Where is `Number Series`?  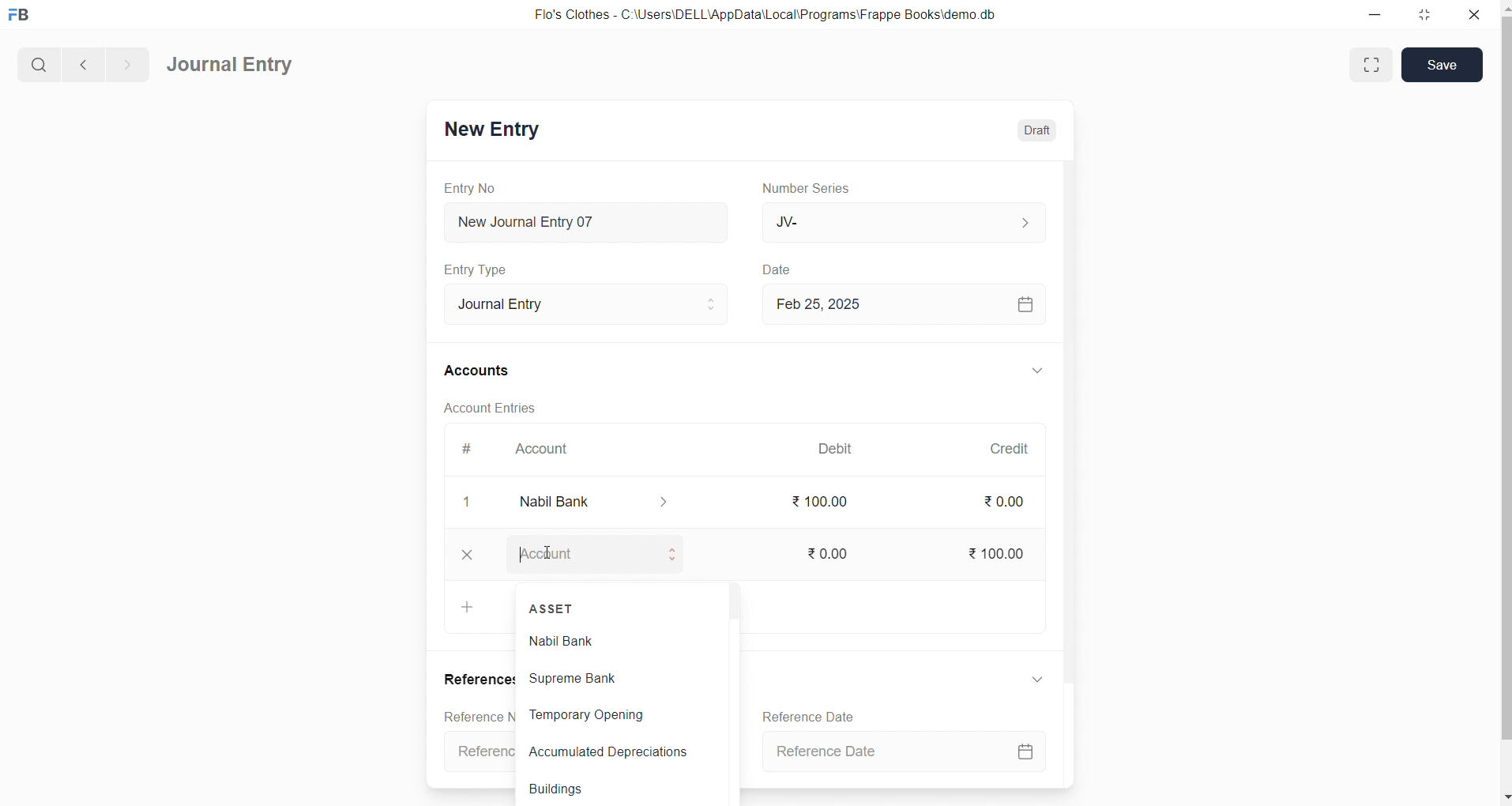 Number Series is located at coordinates (819, 189).